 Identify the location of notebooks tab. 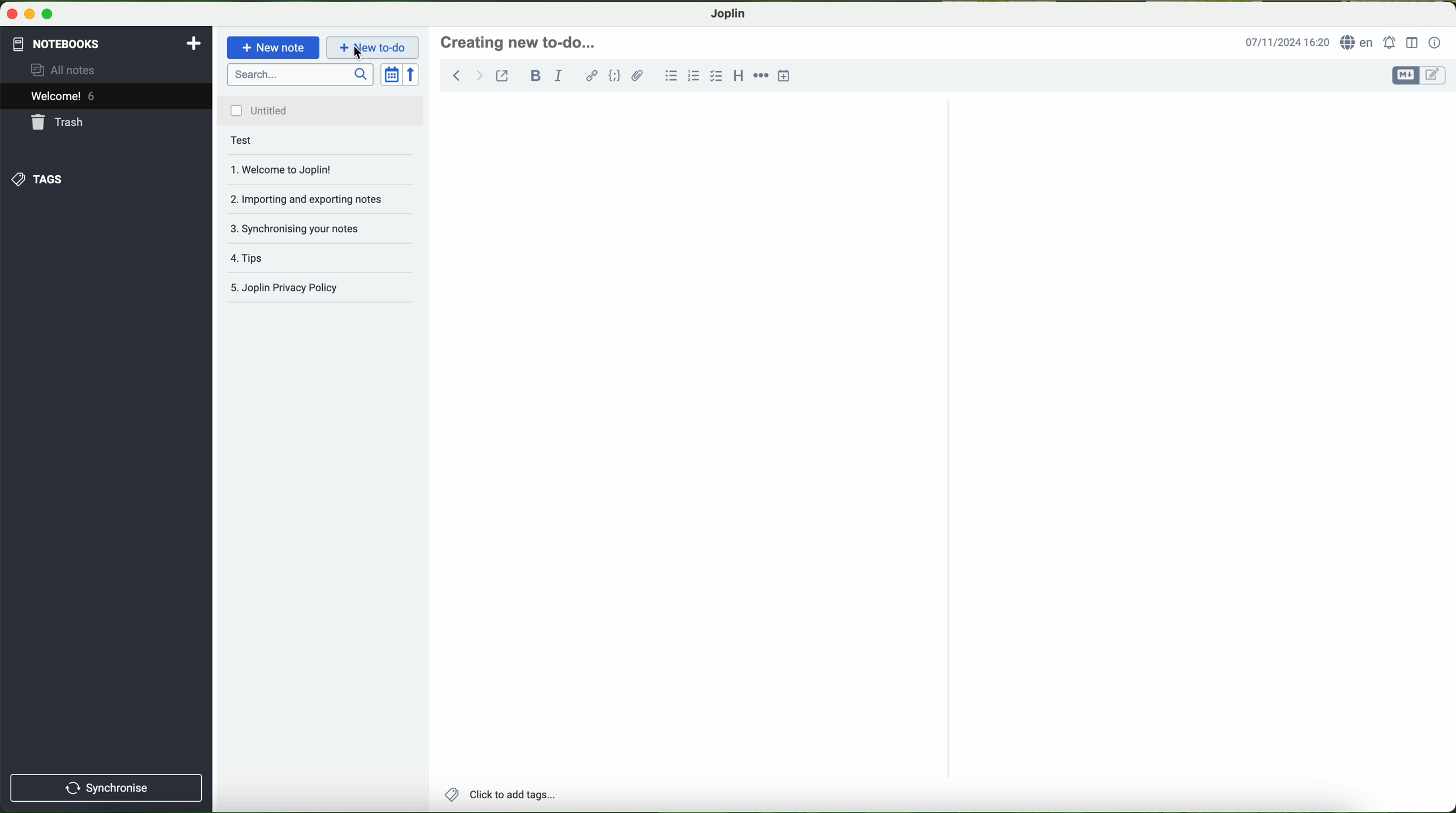
(106, 44).